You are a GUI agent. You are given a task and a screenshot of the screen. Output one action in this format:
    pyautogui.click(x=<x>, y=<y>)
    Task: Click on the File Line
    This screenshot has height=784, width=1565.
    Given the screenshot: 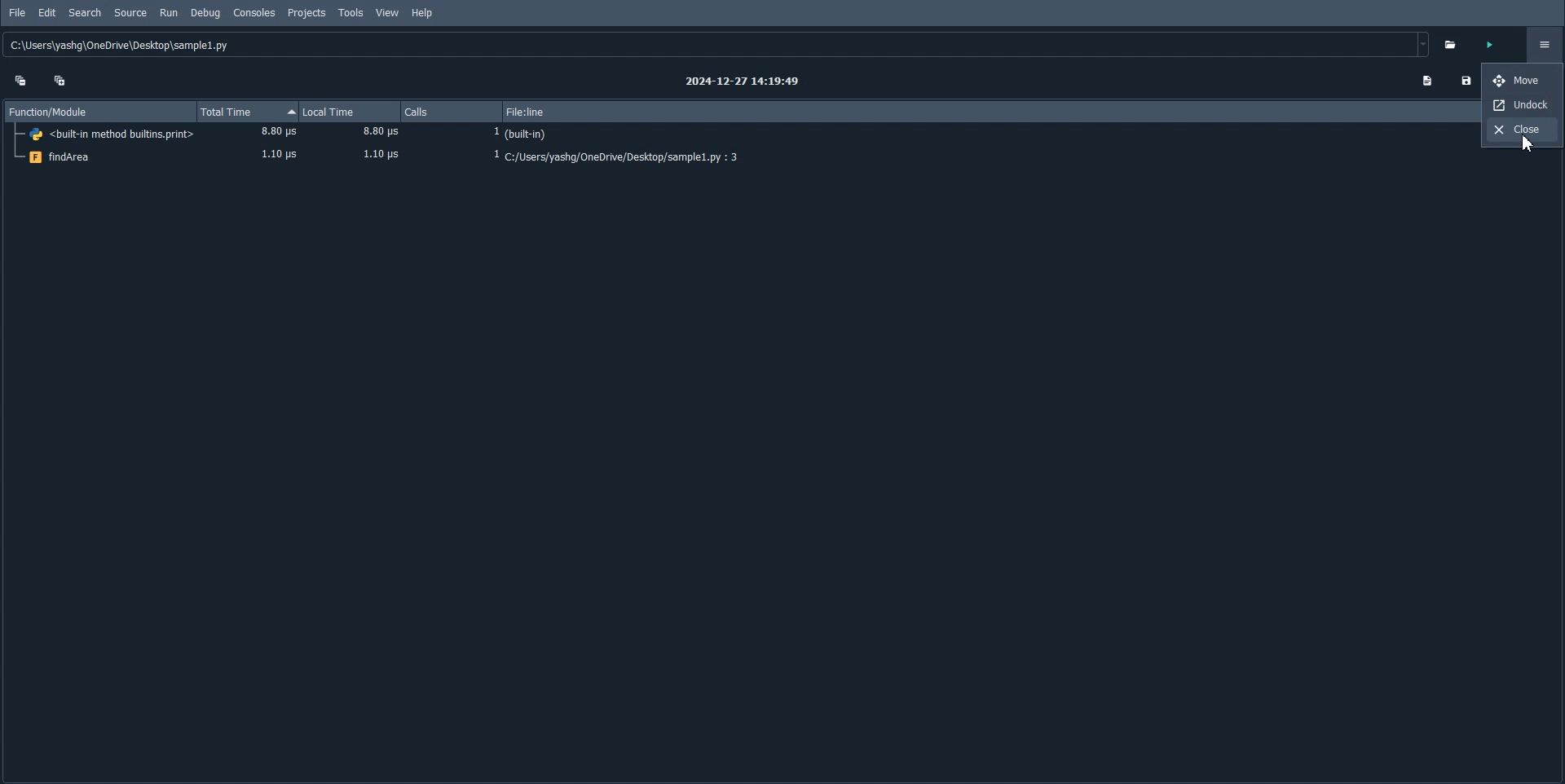 What is the action you would take?
    pyautogui.click(x=974, y=111)
    